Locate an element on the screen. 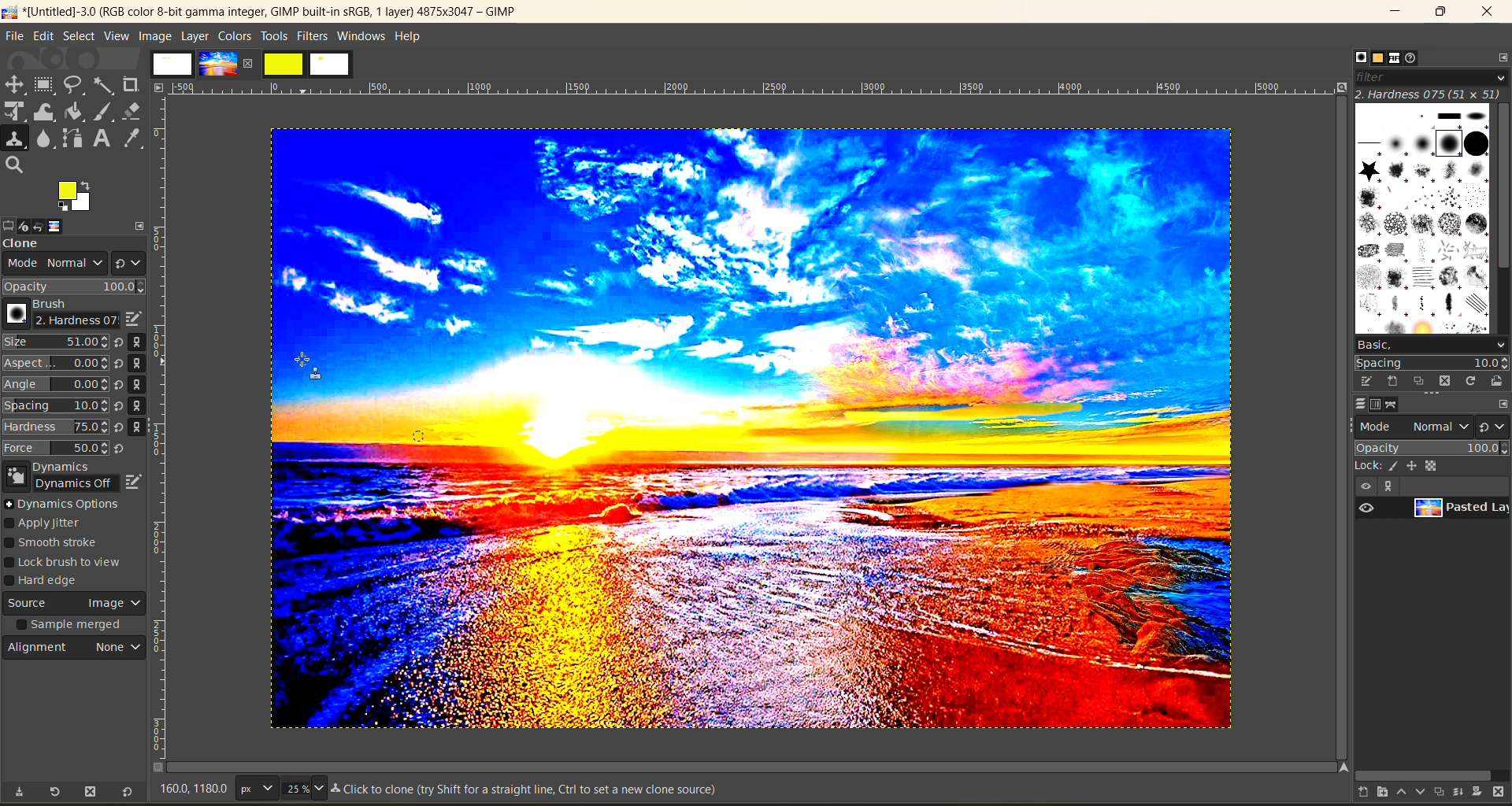  px is located at coordinates (254, 788).